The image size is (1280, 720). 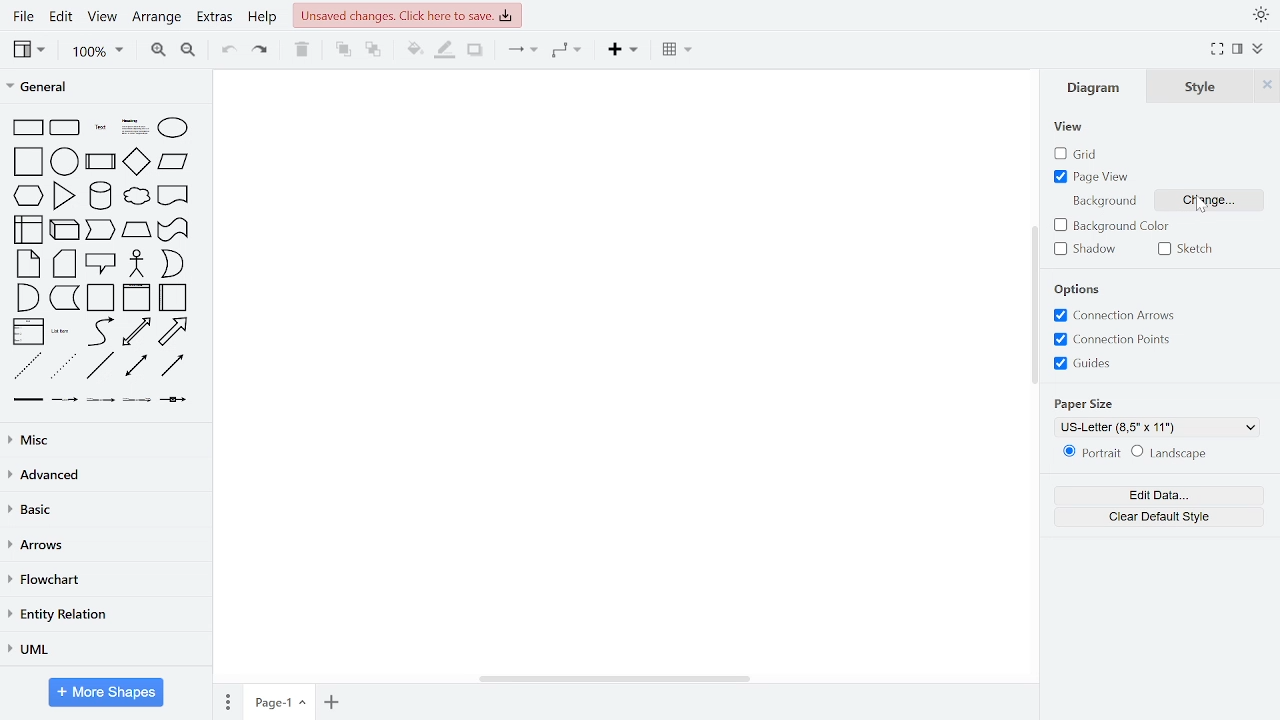 I want to click on undo, so click(x=230, y=50).